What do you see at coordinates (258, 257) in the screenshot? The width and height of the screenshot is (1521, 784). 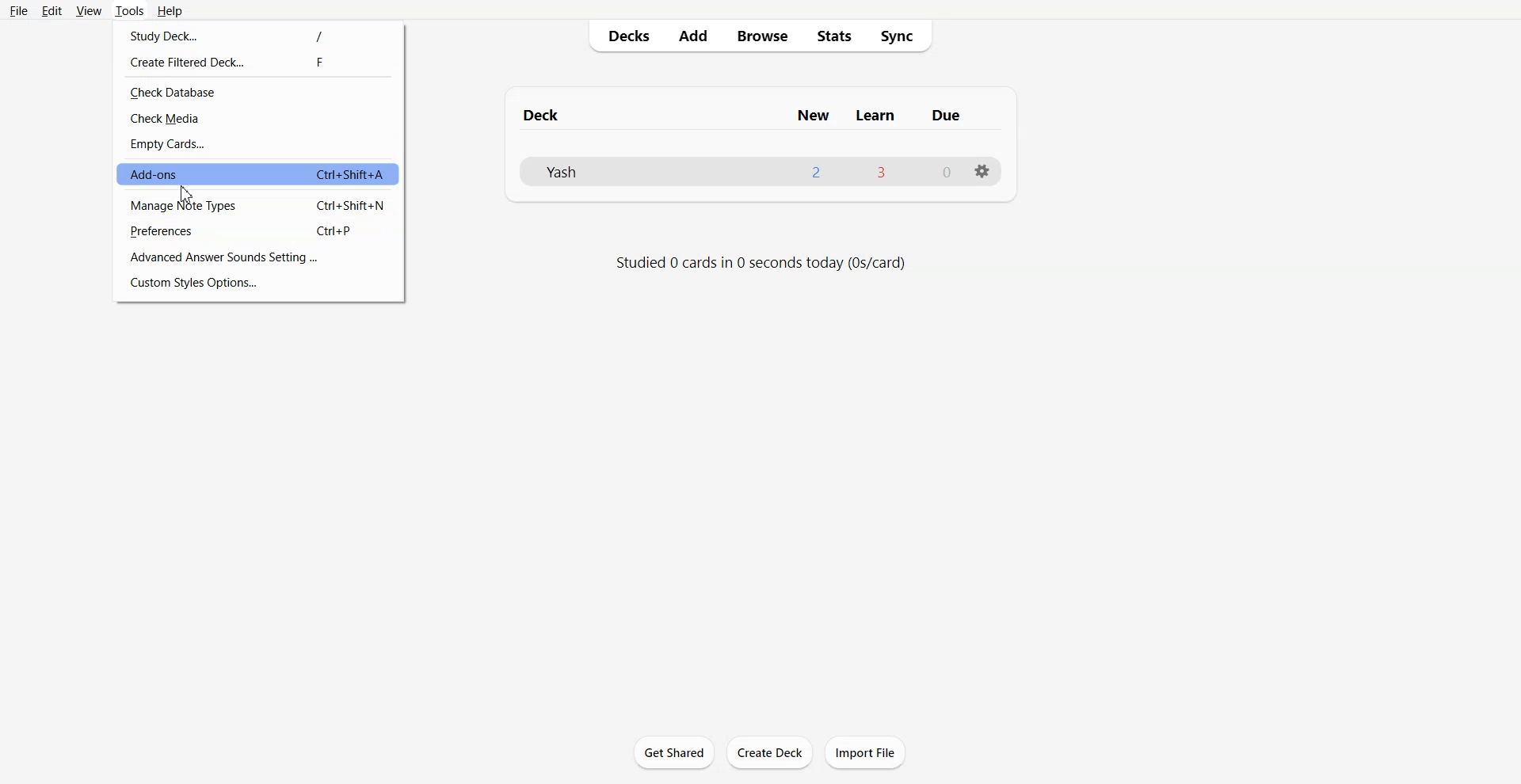 I see `Advance Answer sound Setting` at bounding box center [258, 257].